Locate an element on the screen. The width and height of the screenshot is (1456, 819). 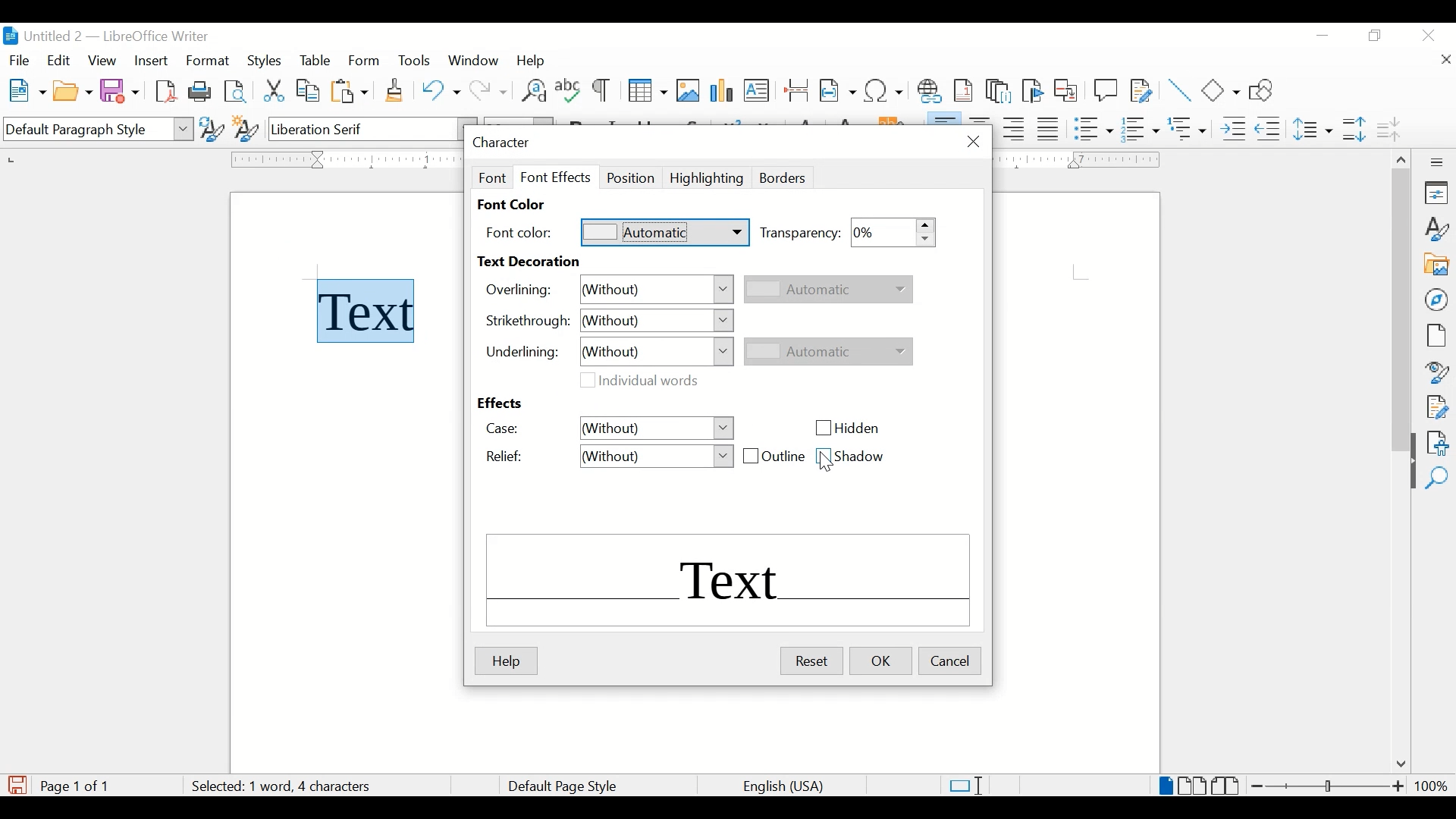
restore down is located at coordinates (1376, 36).